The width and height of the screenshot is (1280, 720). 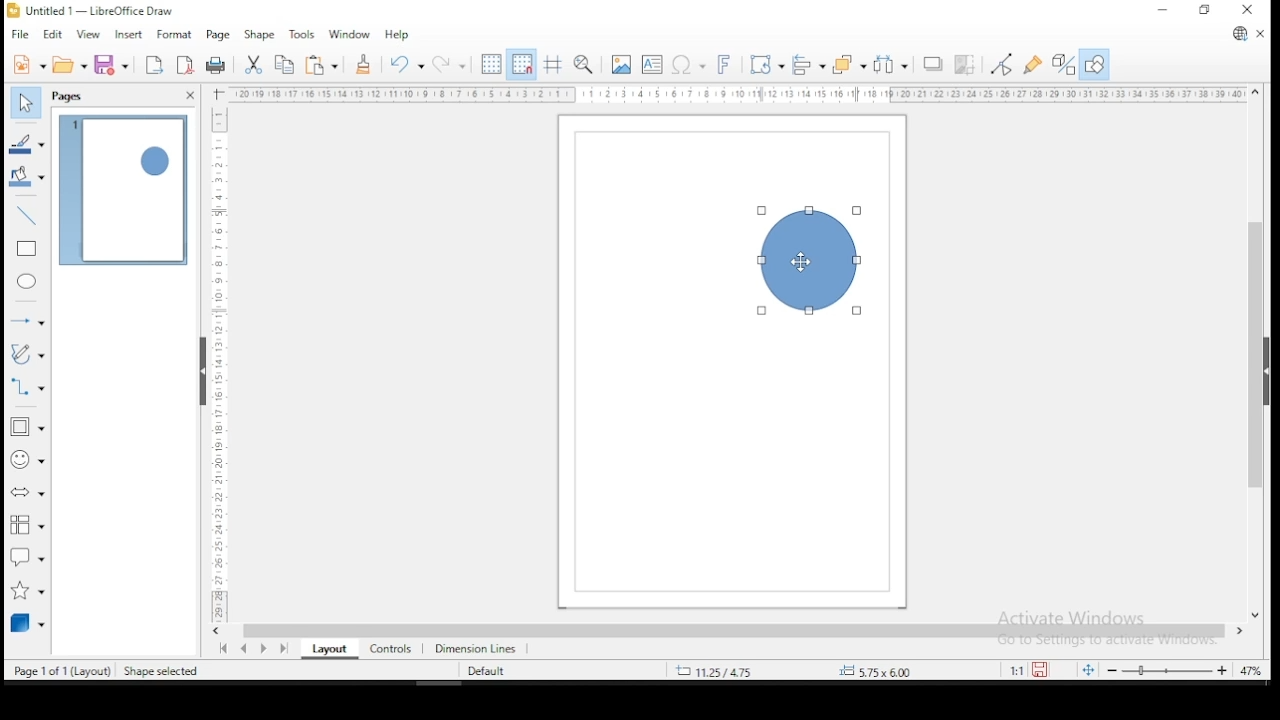 I want to click on page, so click(x=217, y=36).